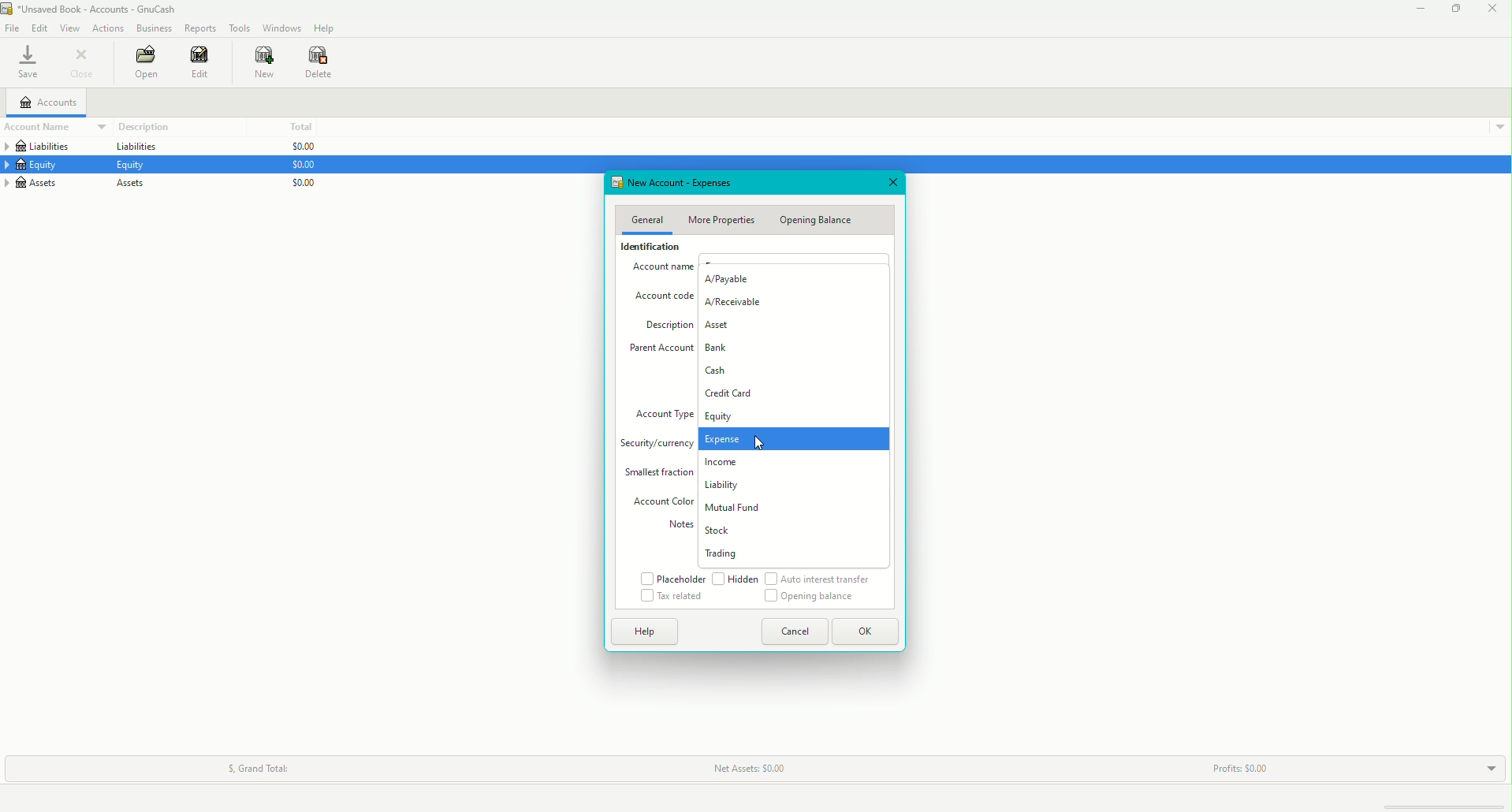 This screenshot has height=812, width=1512. I want to click on Assets, so click(46, 182).